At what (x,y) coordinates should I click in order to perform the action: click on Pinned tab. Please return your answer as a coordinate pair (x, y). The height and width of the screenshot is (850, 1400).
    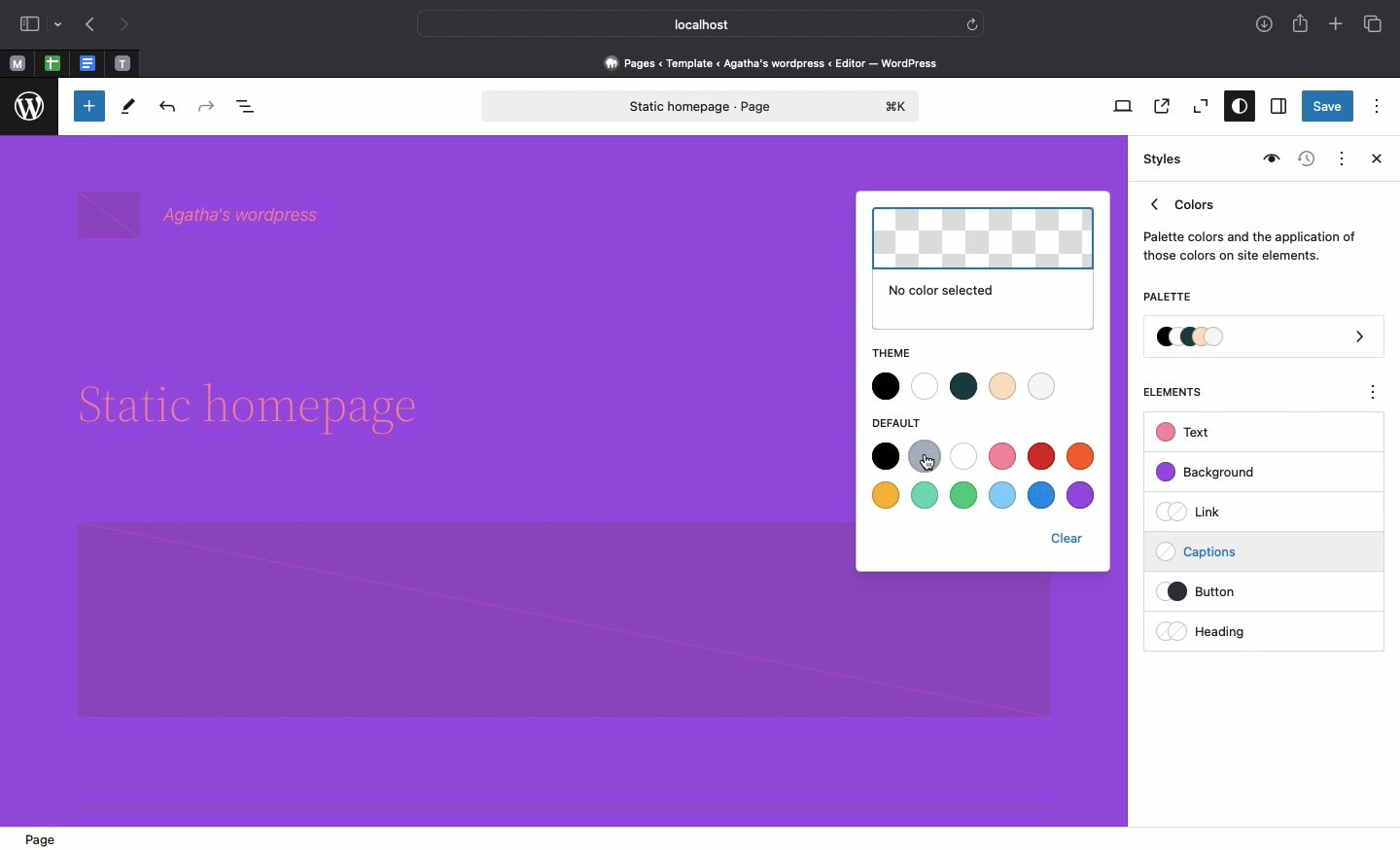
    Looking at the image, I should click on (52, 64).